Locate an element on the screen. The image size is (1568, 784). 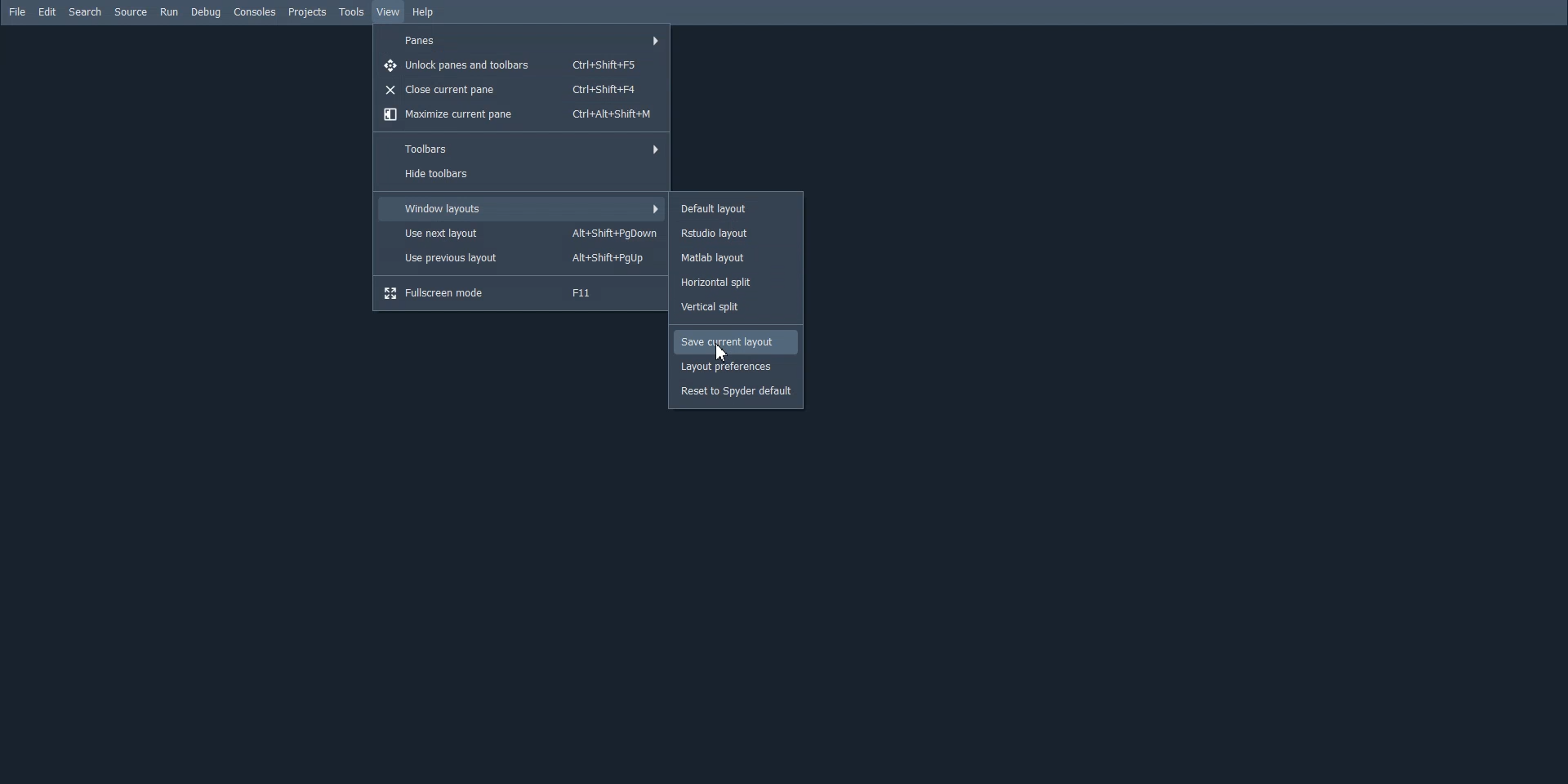
Use next layout is located at coordinates (522, 233).